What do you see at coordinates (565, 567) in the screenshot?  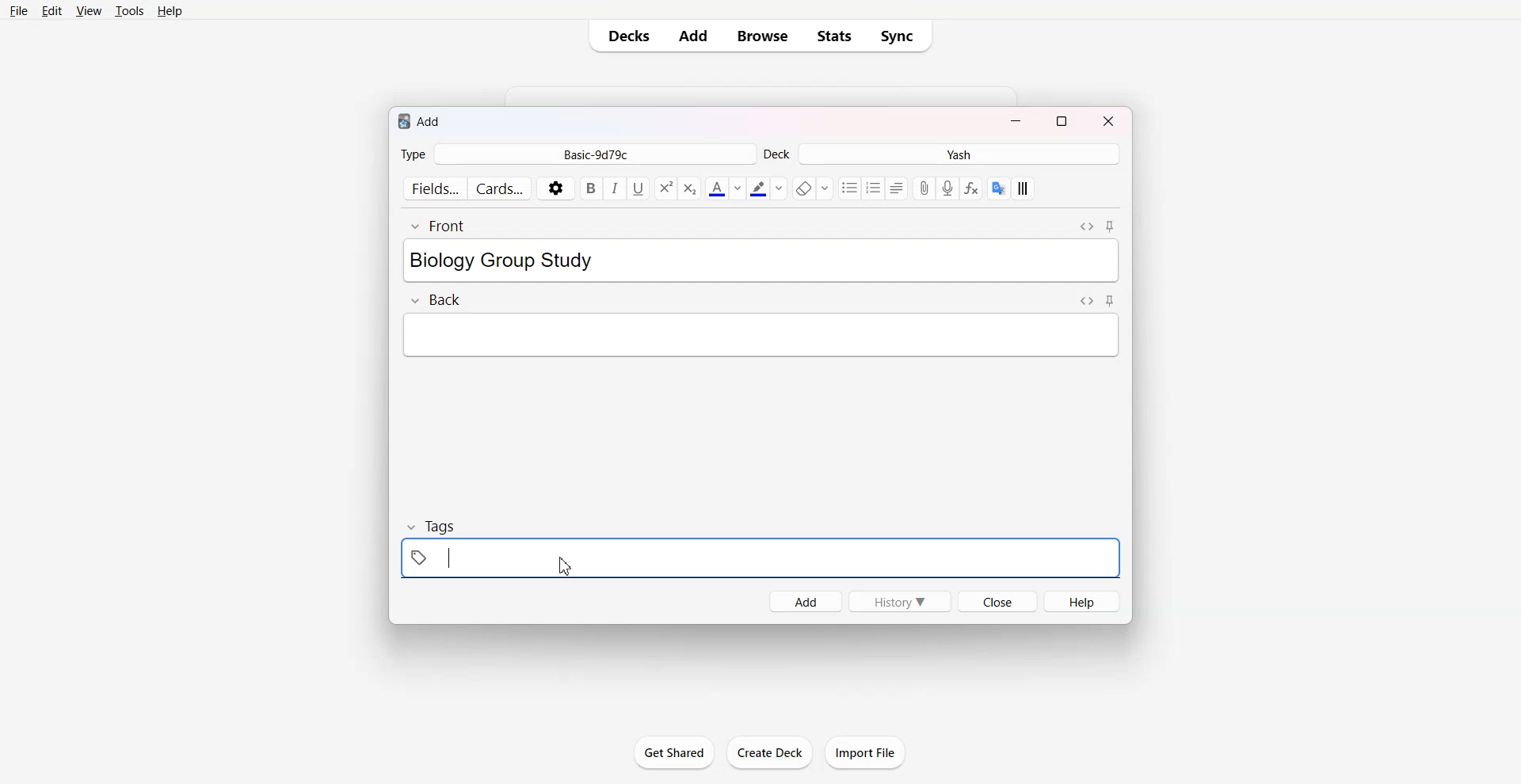 I see `Cursor` at bounding box center [565, 567].